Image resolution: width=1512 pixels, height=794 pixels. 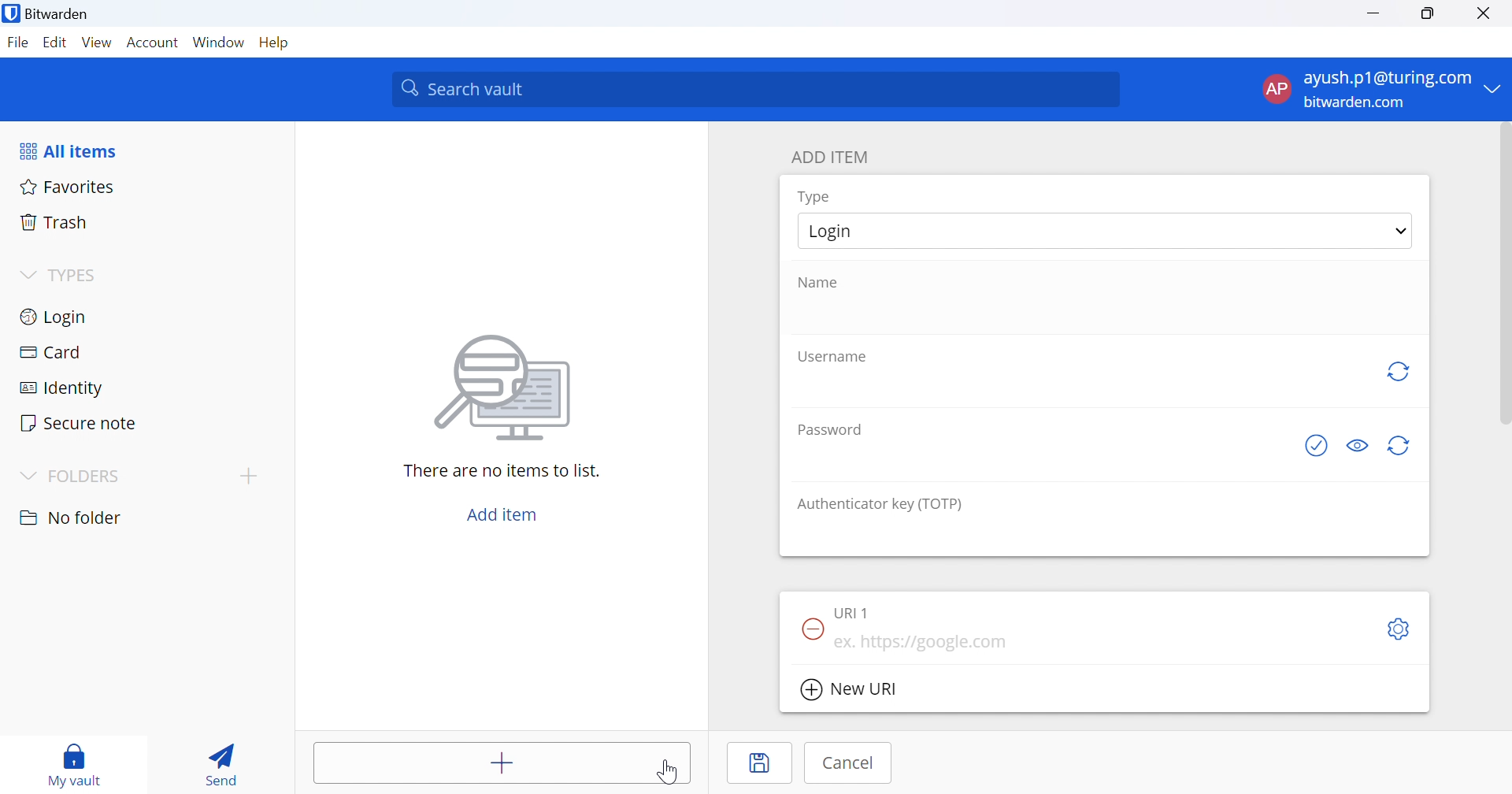 What do you see at coordinates (1497, 90) in the screenshot?
I see `Drop Down` at bounding box center [1497, 90].